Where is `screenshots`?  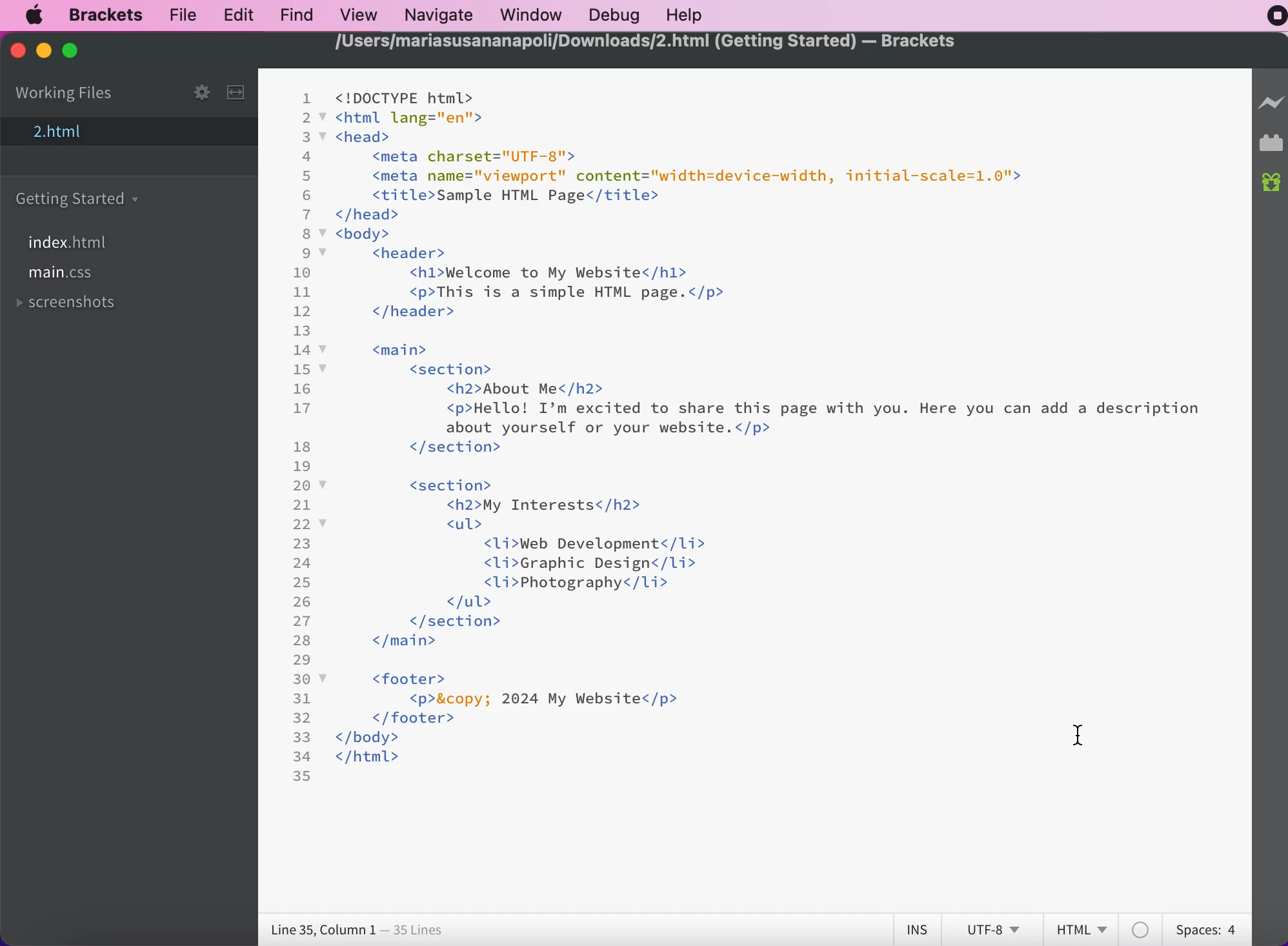 screenshots is located at coordinates (72, 301).